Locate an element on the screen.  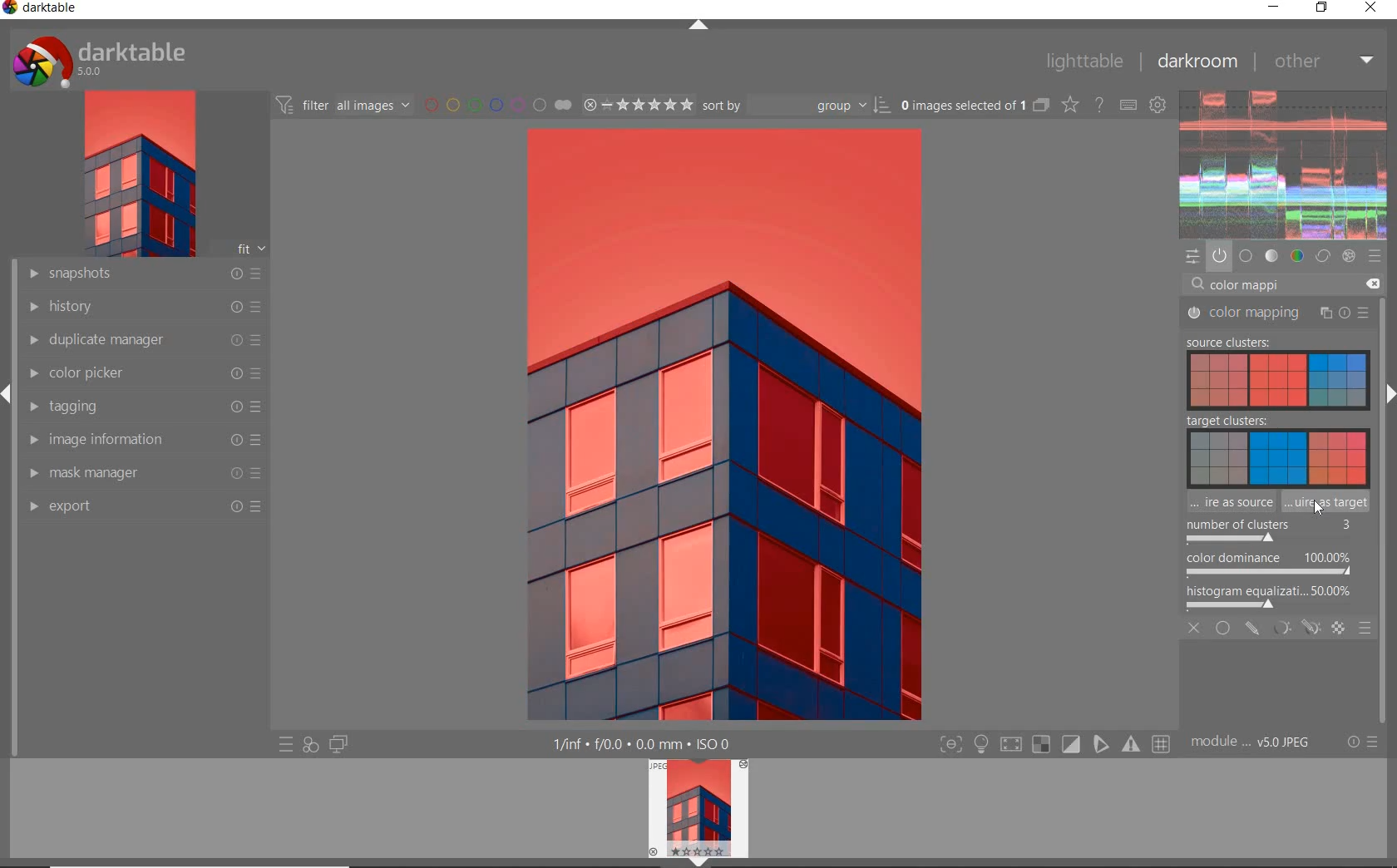
collapsed grouped images is located at coordinates (1041, 103).